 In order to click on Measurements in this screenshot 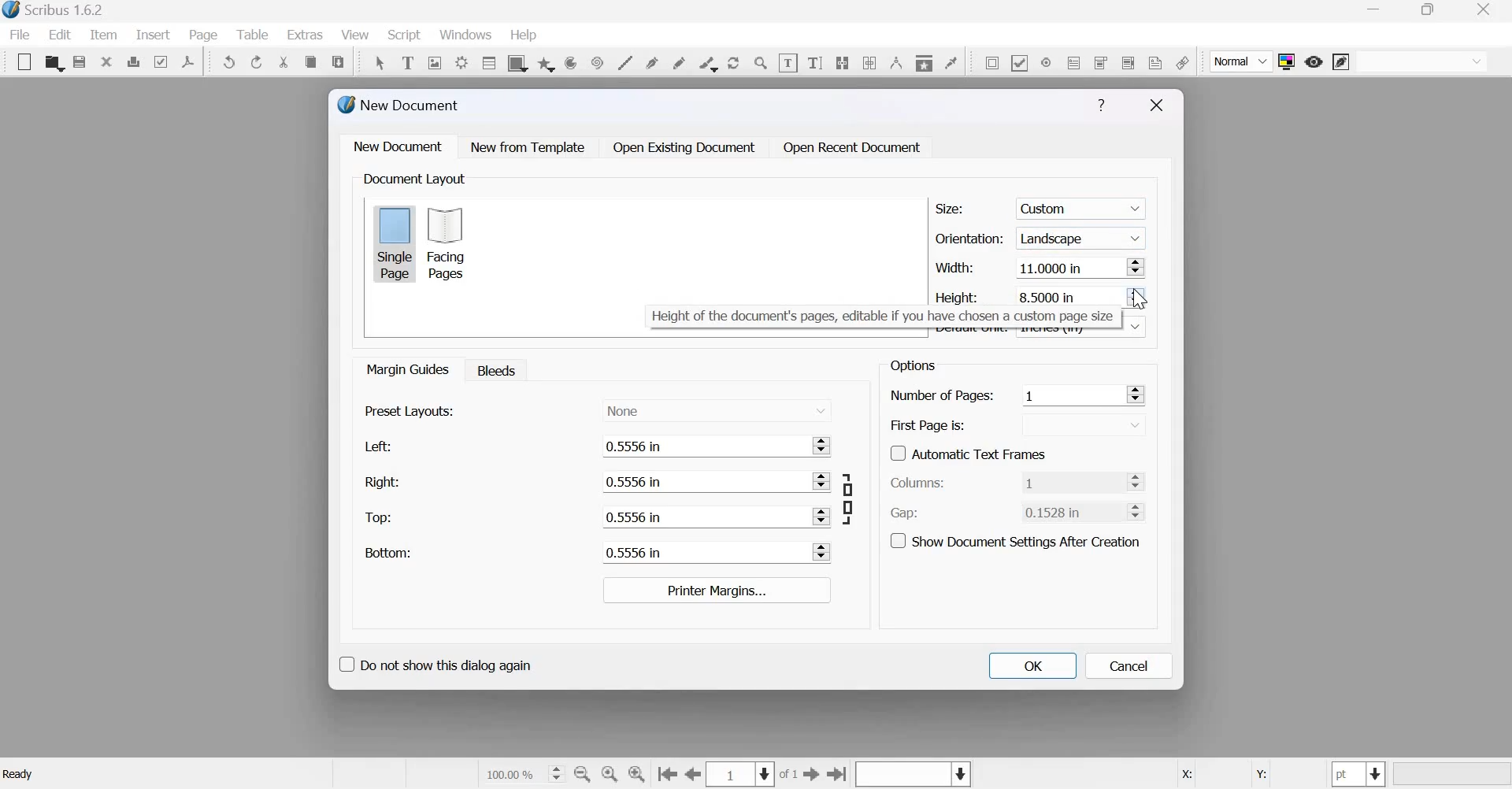, I will do `click(895, 62)`.